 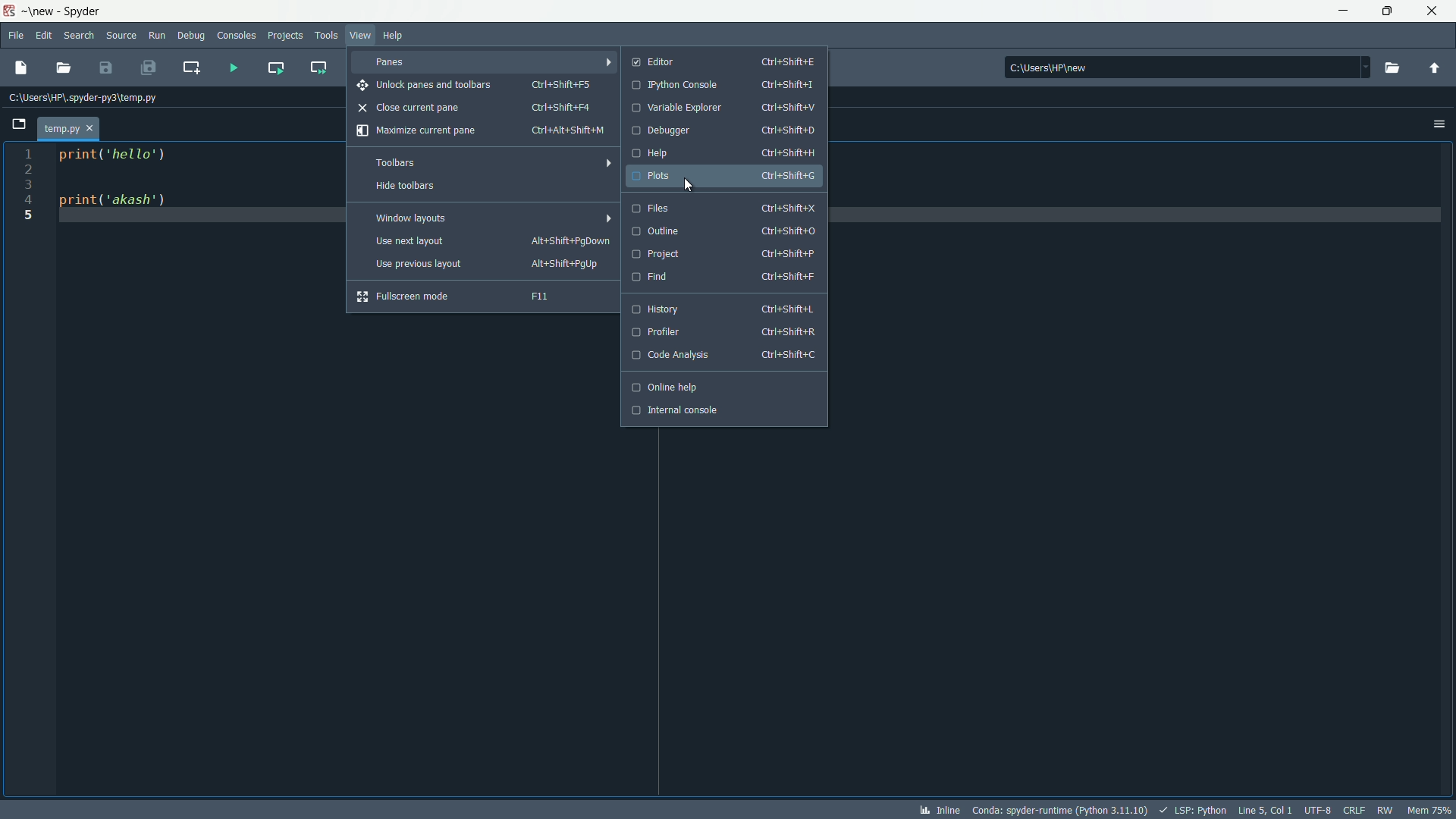 I want to click on run menu, so click(x=157, y=34).